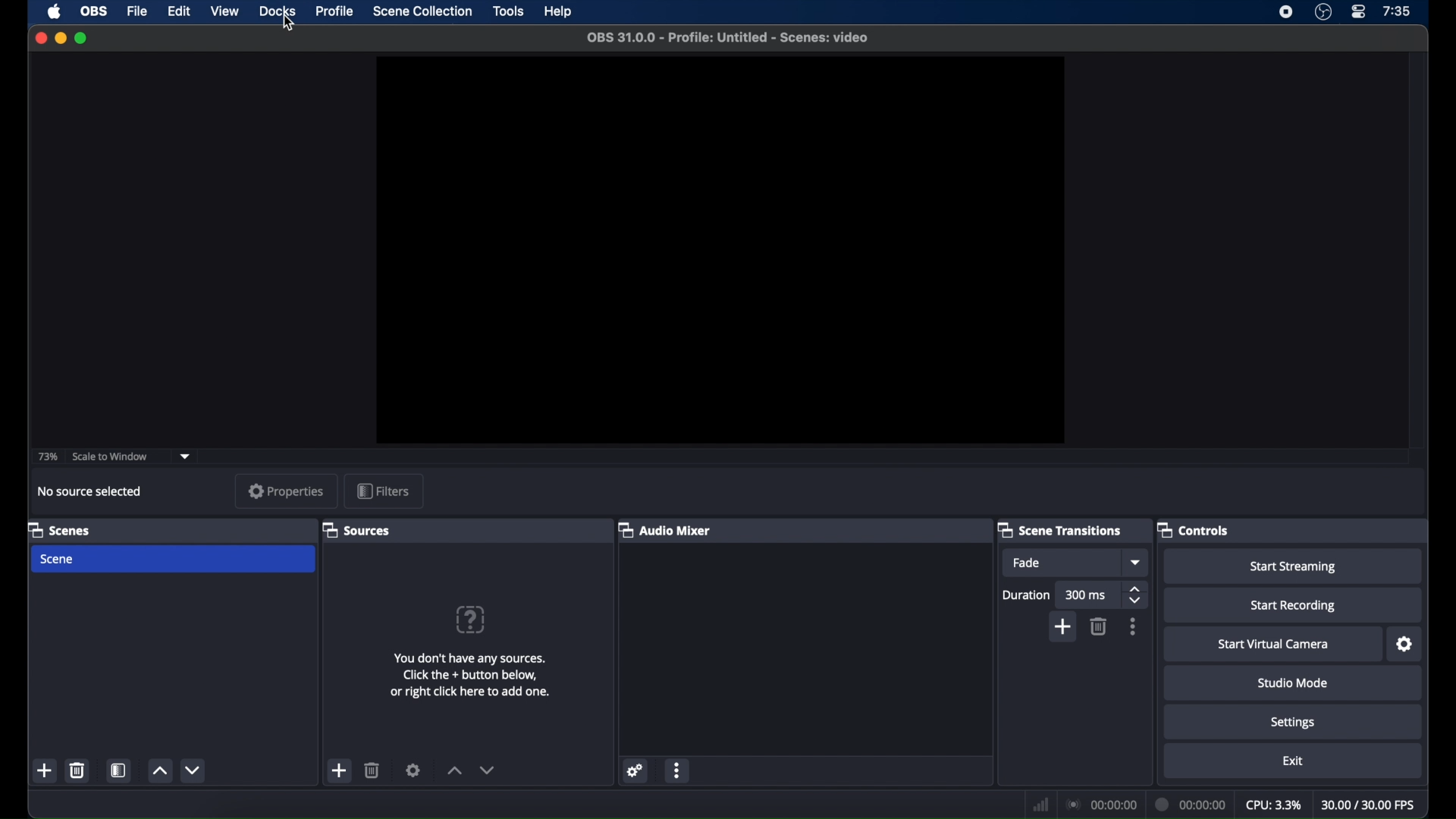  I want to click on studio mode, so click(1292, 682).